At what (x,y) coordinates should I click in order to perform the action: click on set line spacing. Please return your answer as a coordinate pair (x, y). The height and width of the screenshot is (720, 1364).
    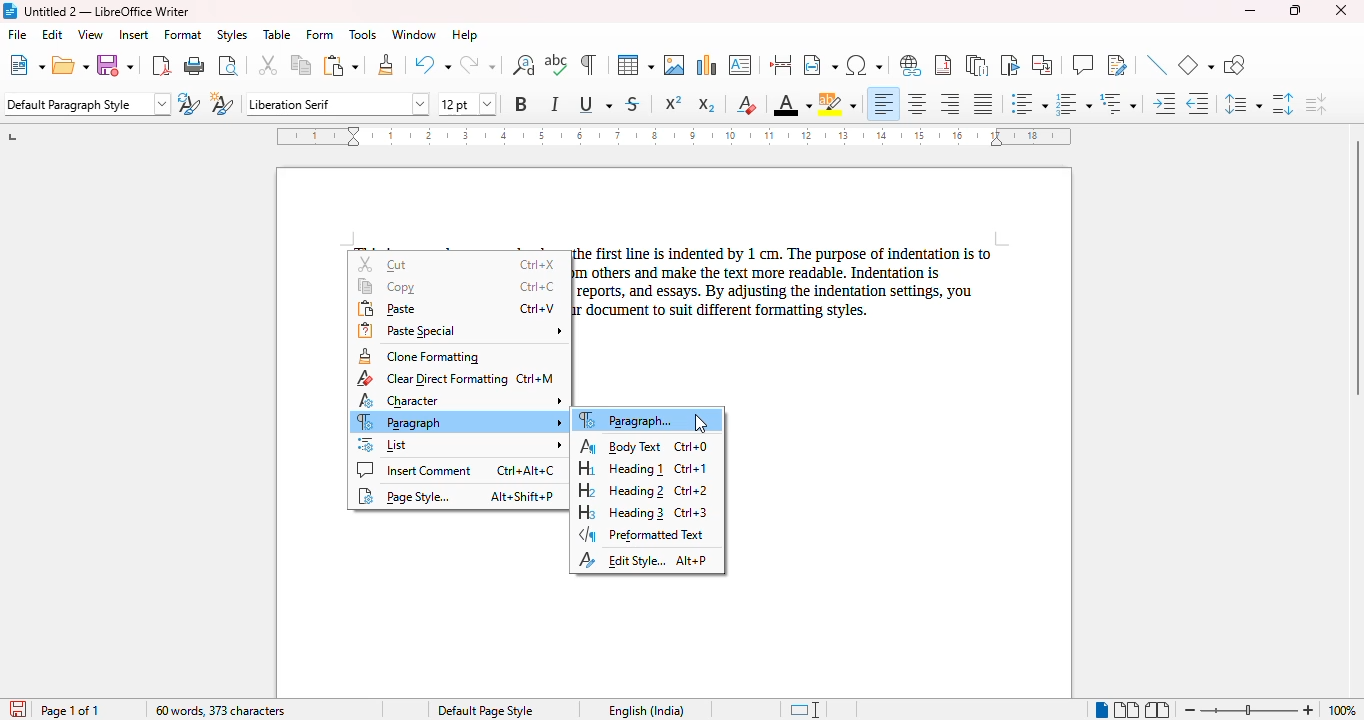
    Looking at the image, I should click on (1243, 104).